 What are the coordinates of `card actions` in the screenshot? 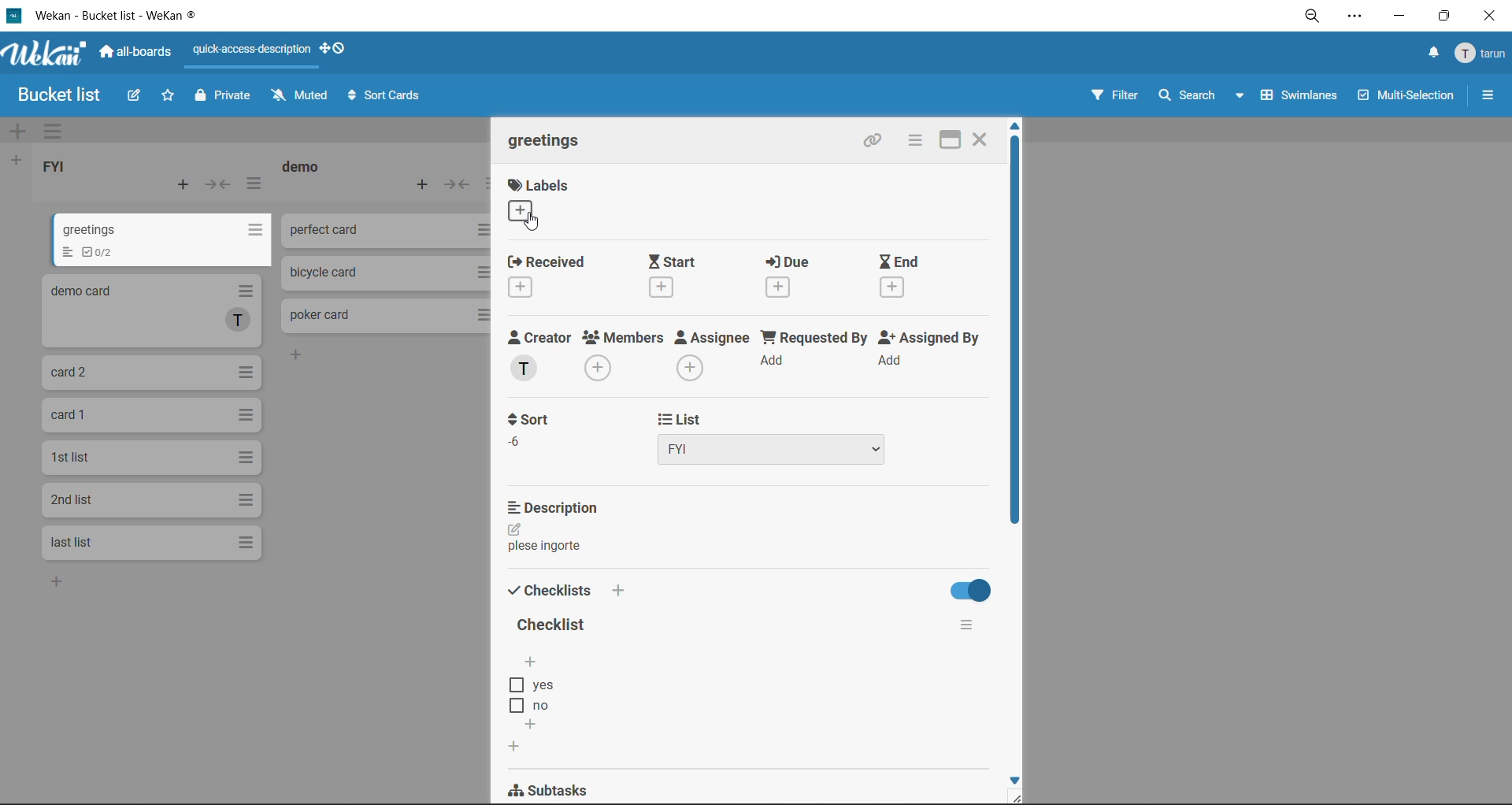 It's located at (915, 143).